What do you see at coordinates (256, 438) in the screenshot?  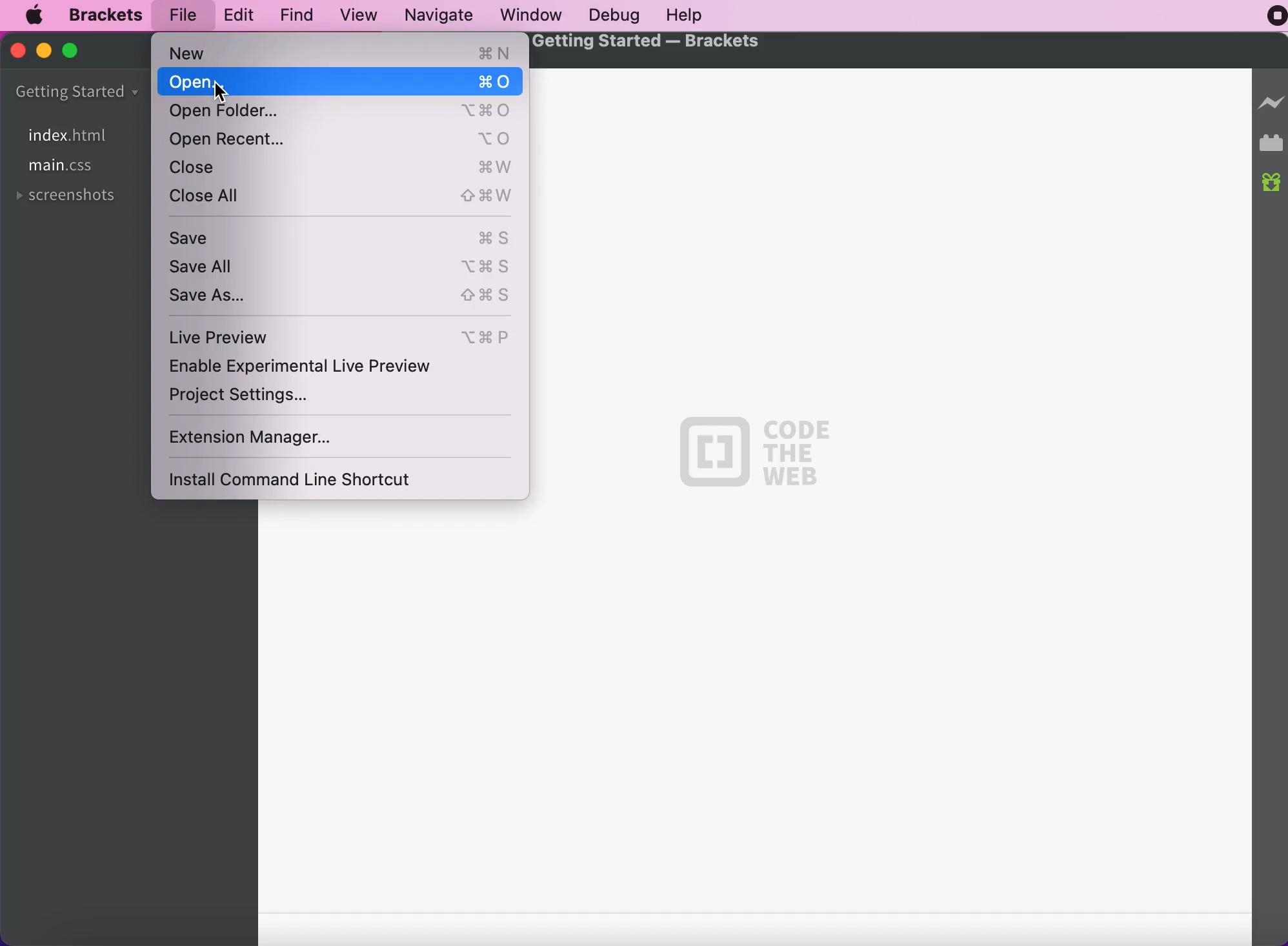 I see `extension manager` at bounding box center [256, 438].